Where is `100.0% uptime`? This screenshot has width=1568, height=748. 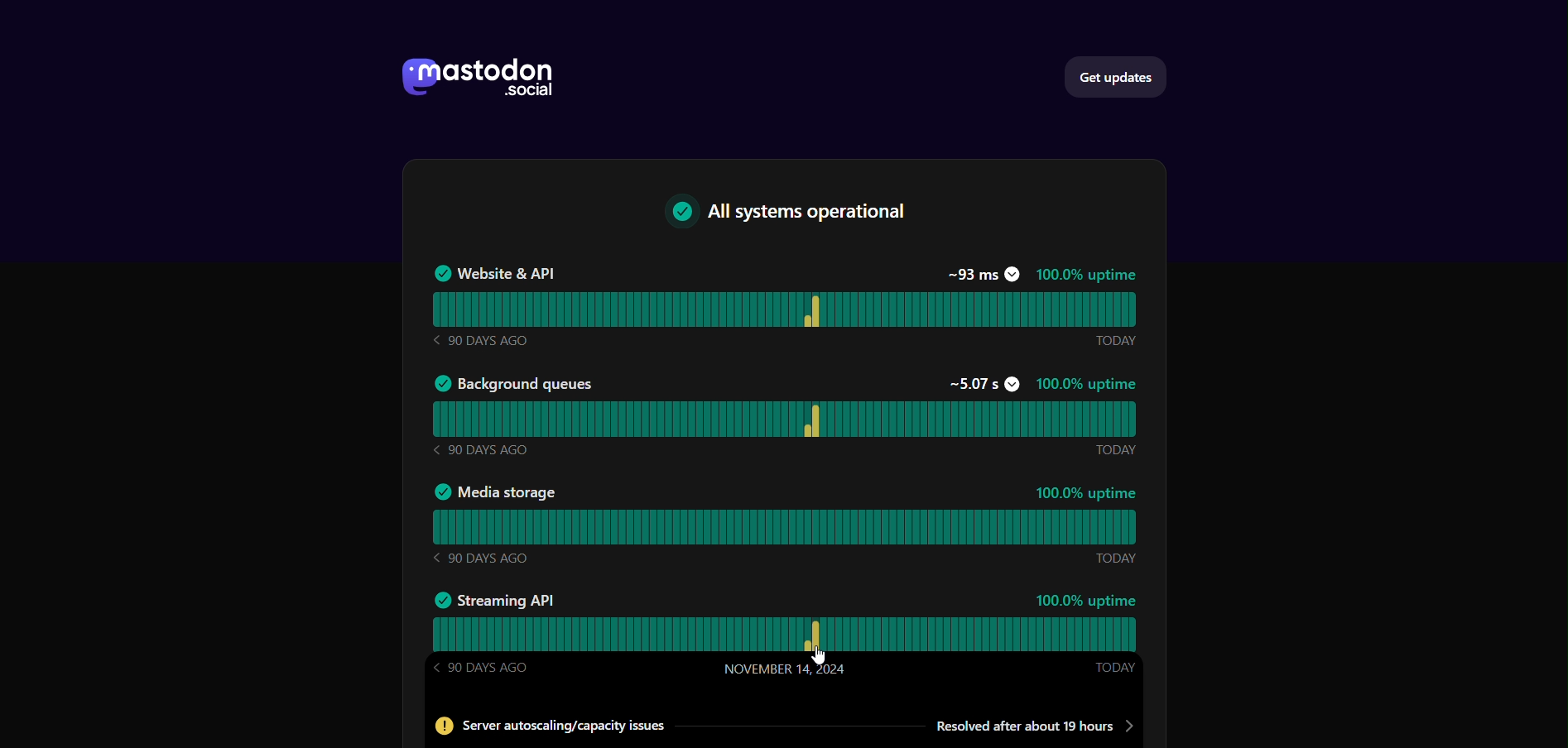
100.0% uptime is located at coordinates (1087, 385).